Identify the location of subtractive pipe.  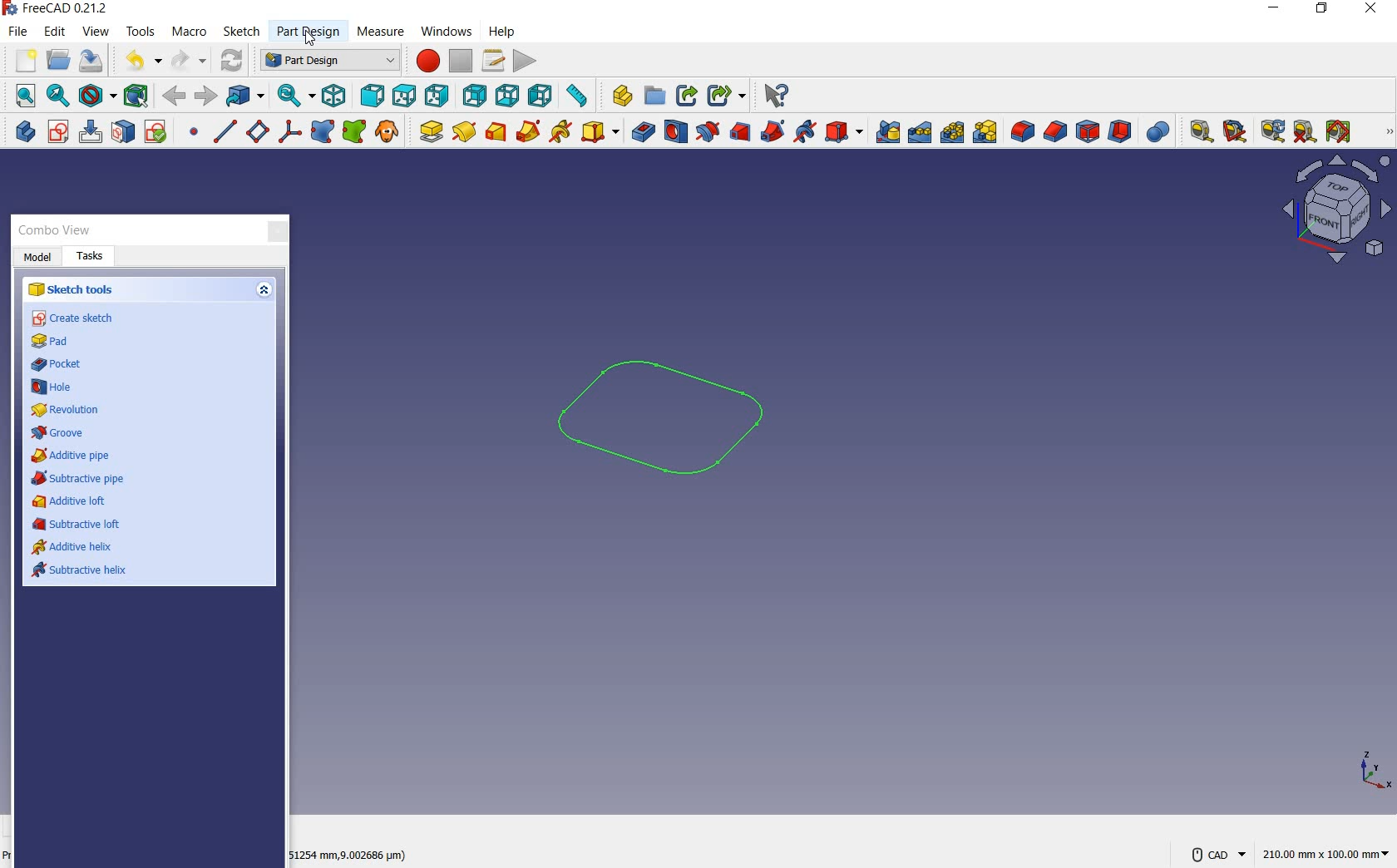
(773, 131).